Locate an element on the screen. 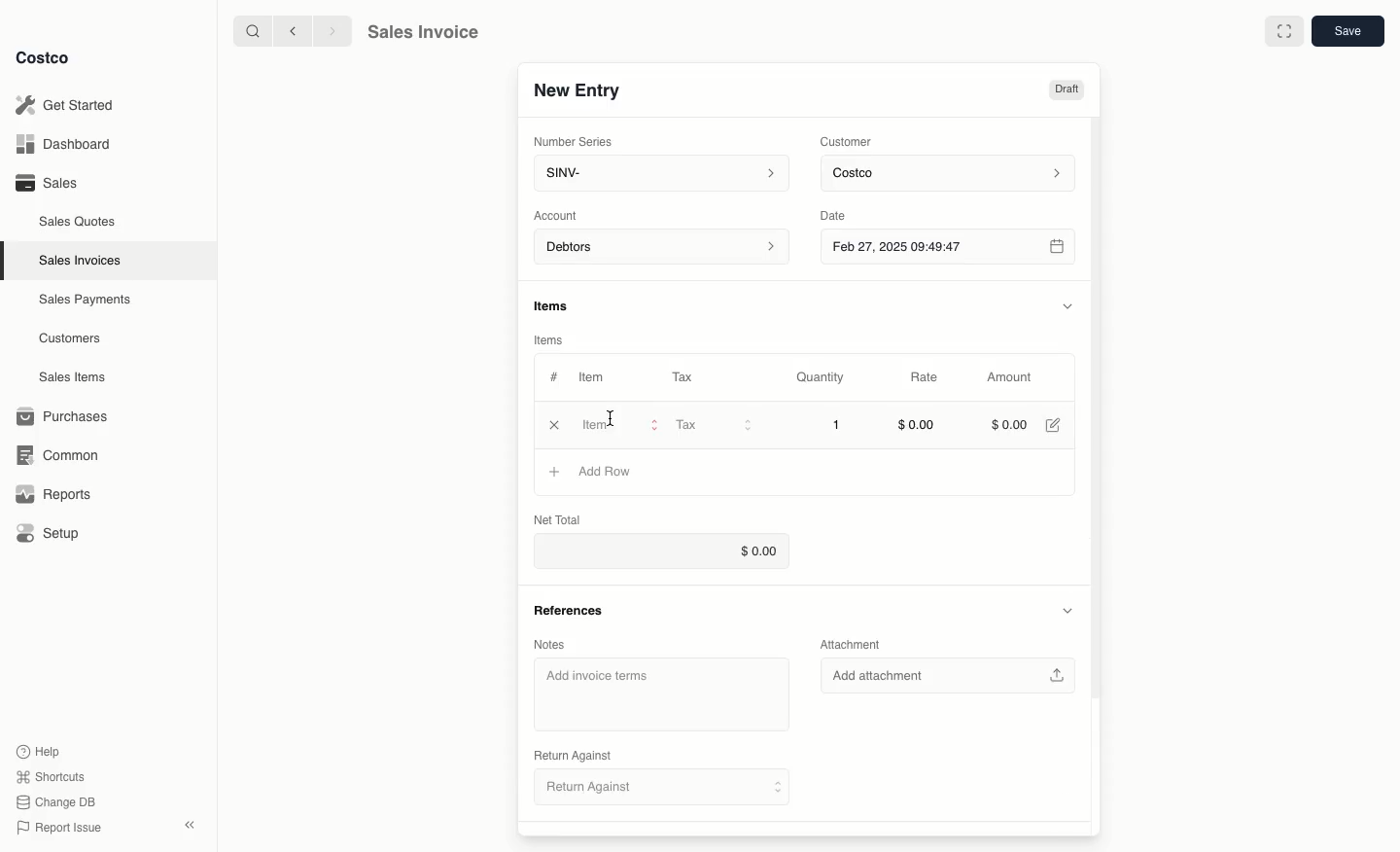 The image size is (1400, 852). $0.00 is located at coordinates (657, 549).